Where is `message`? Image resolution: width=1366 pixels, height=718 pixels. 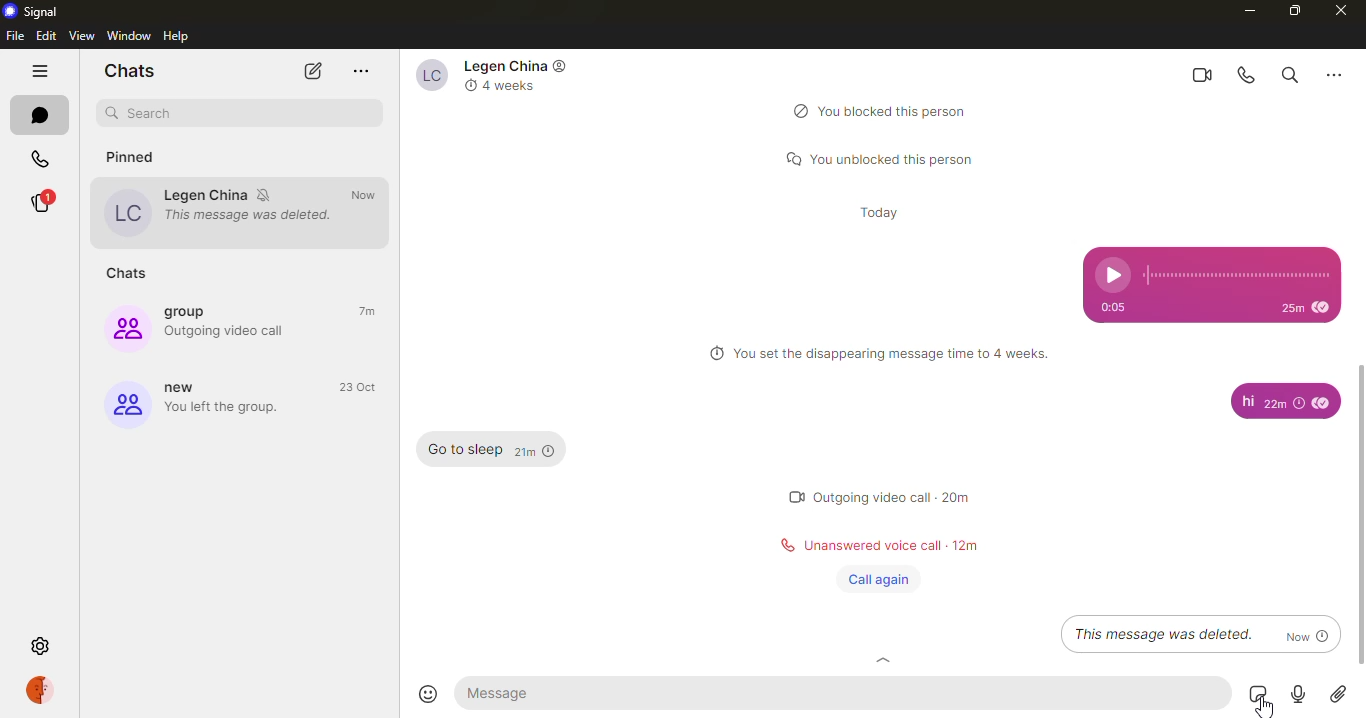 message is located at coordinates (1246, 402).